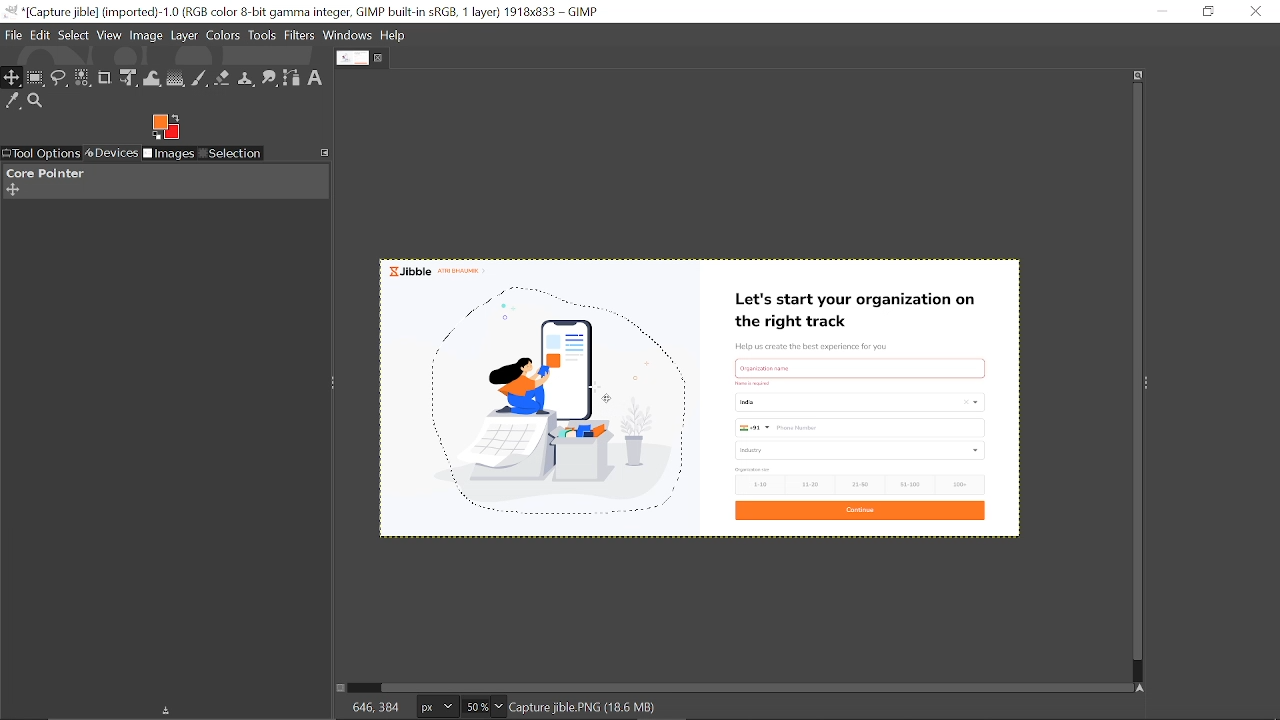 Image resolution: width=1280 pixels, height=720 pixels. What do you see at coordinates (339, 688) in the screenshot?
I see `Toggle quick mask on/off` at bounding box center [339, 688].